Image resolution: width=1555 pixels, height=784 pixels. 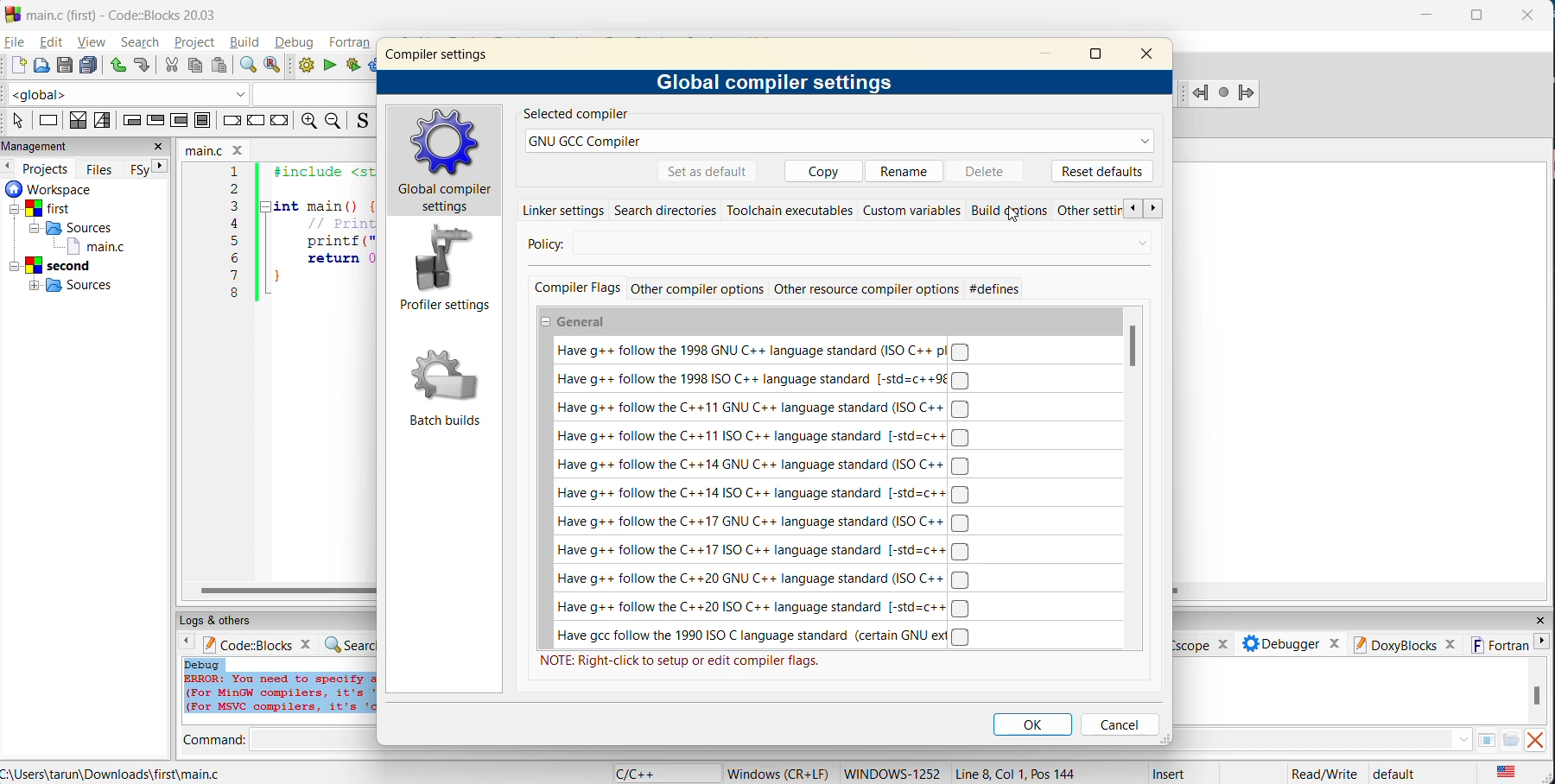 I want to click on filename, so click(x=213, y=149).